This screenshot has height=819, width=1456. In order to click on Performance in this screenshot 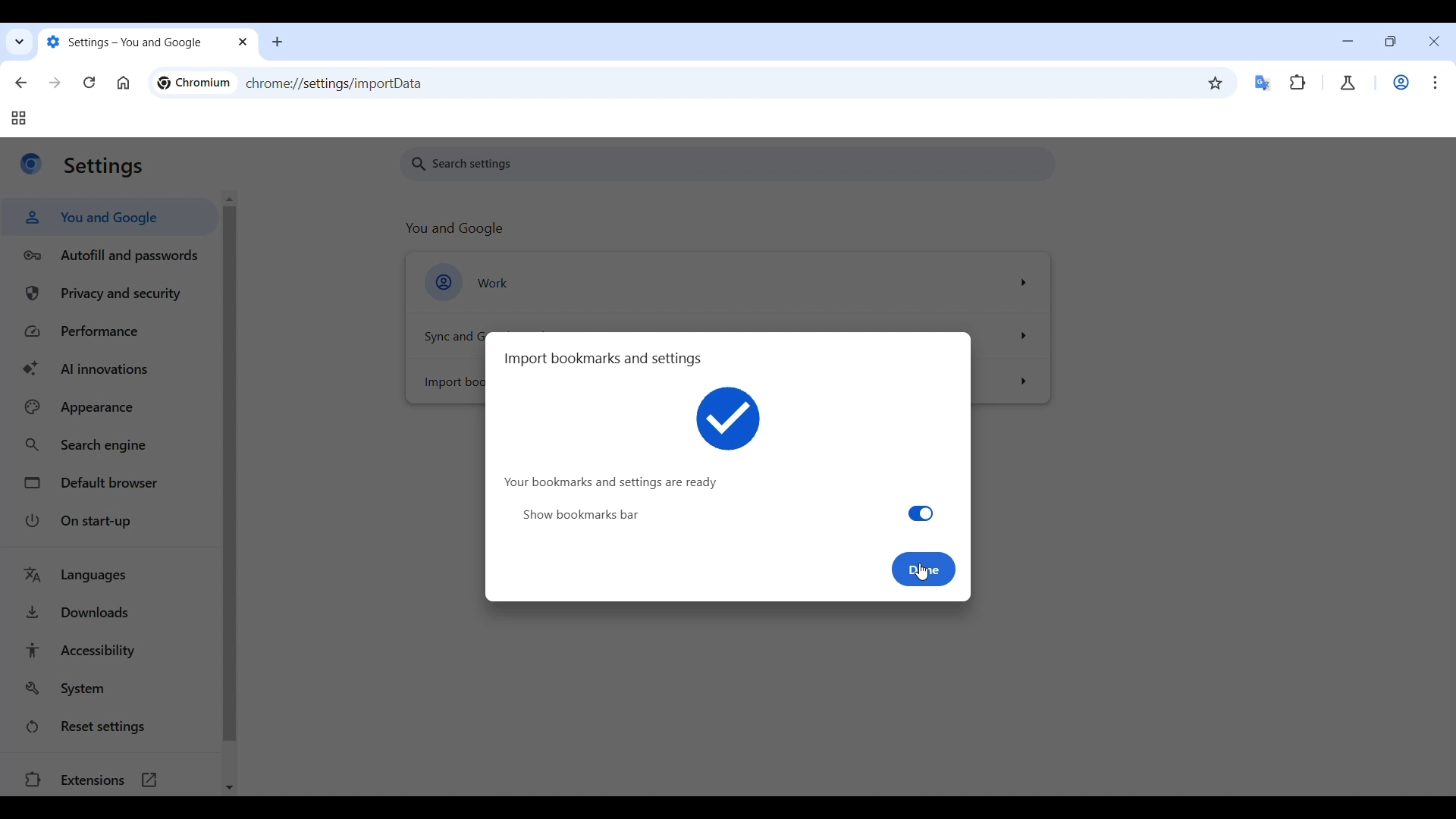, I will do `click(112, 331)`.